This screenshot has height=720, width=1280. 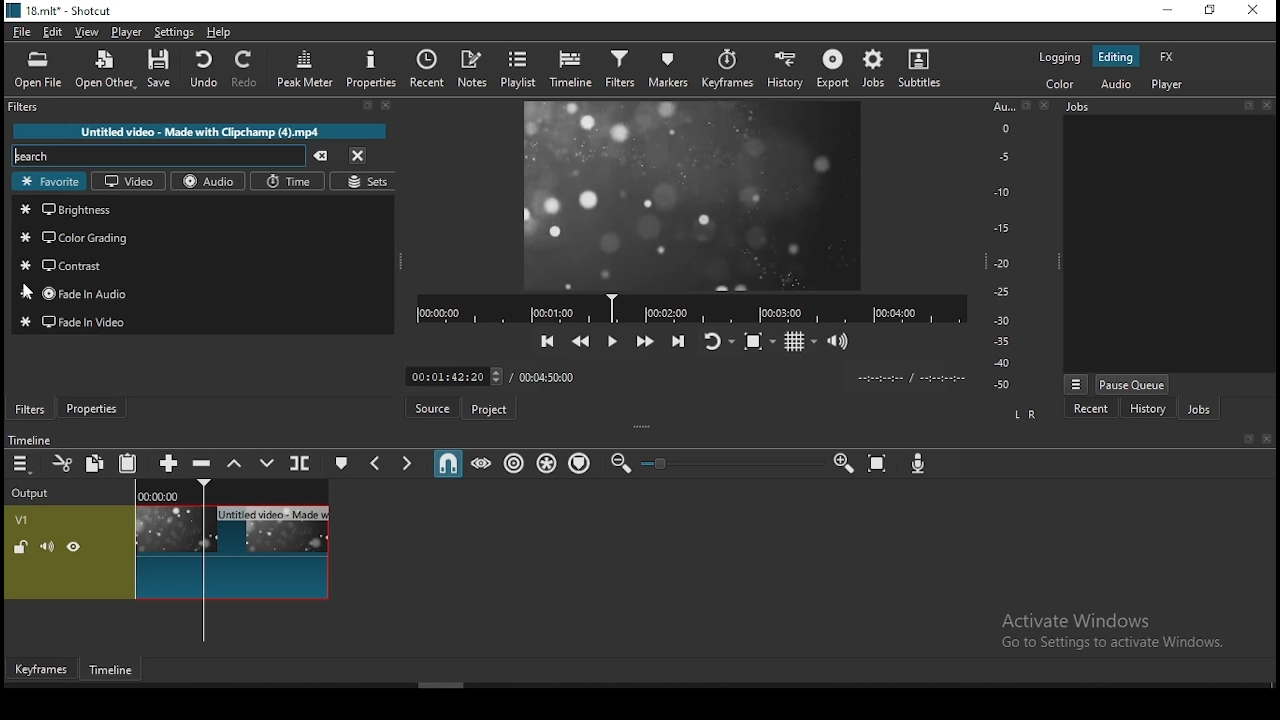 What do you see at coordinates (620, 463) in the screenshot?
I see `zoom timeline out` at bounding box center [620, 463].